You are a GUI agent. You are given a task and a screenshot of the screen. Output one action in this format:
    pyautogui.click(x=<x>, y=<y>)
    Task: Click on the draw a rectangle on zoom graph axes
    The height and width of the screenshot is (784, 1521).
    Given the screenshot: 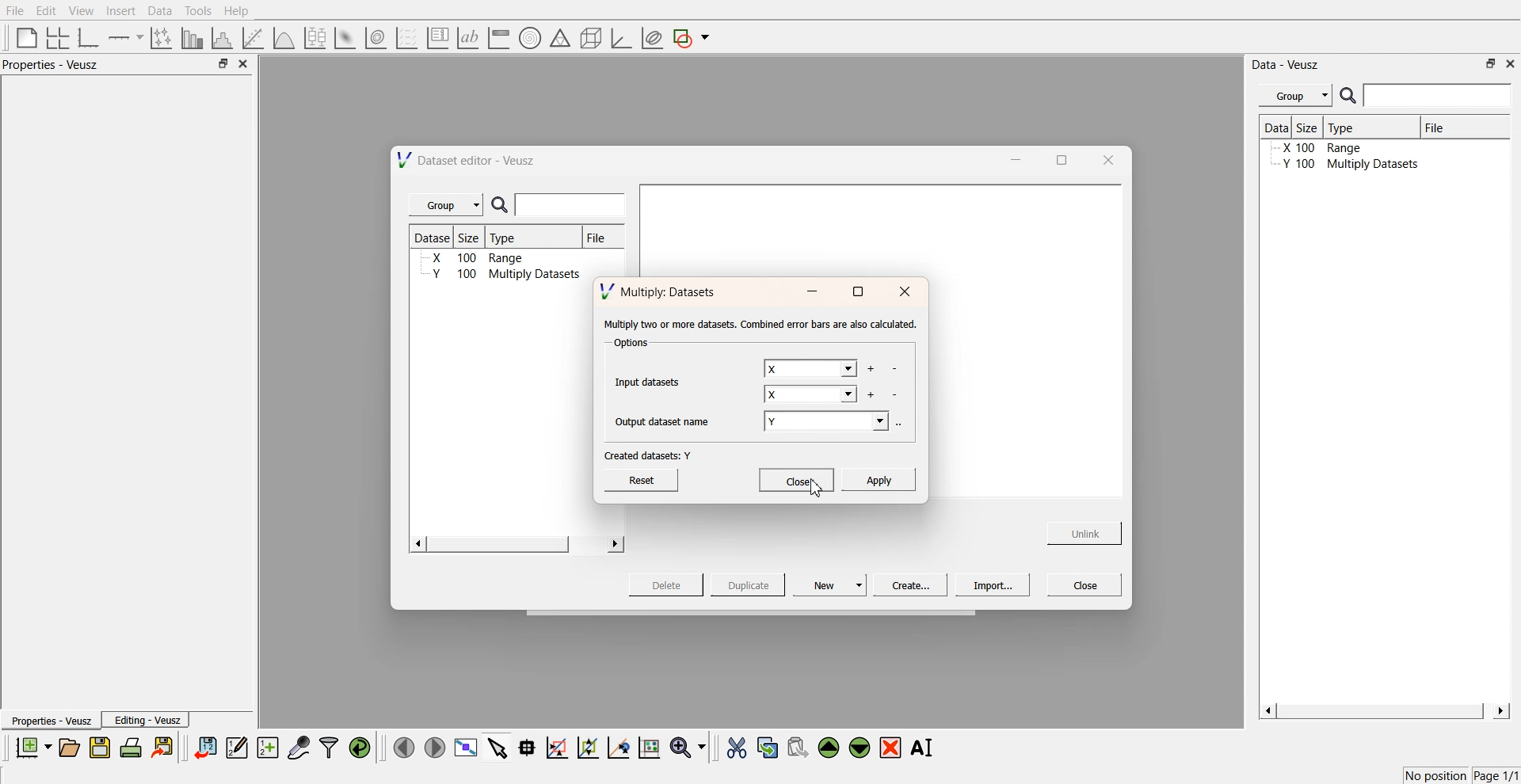 What is the action you would take?
    pyautogui.click(x=556, y=746)
    